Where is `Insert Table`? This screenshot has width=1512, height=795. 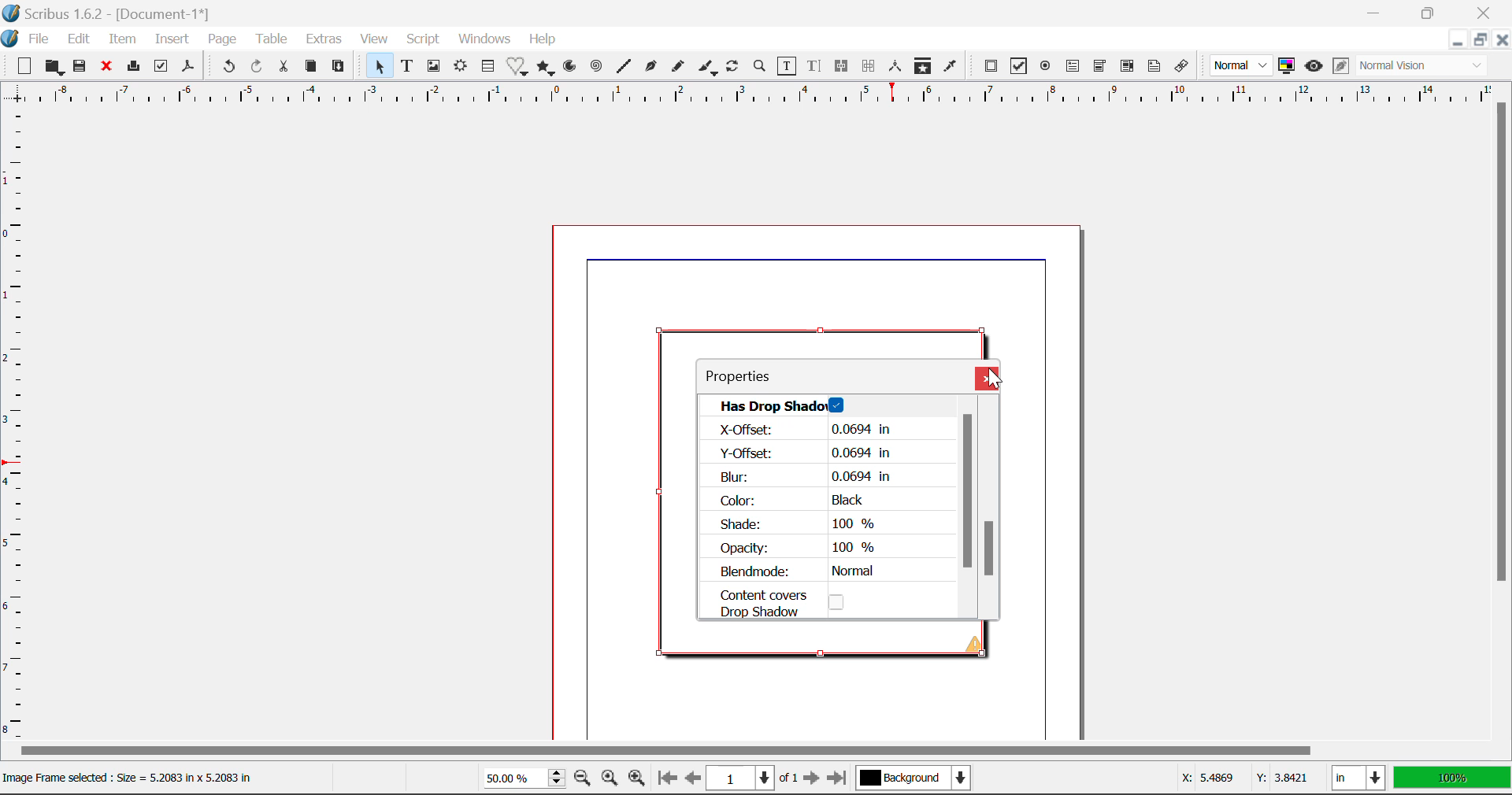
Insert Table is located at coordinates (491, 68).